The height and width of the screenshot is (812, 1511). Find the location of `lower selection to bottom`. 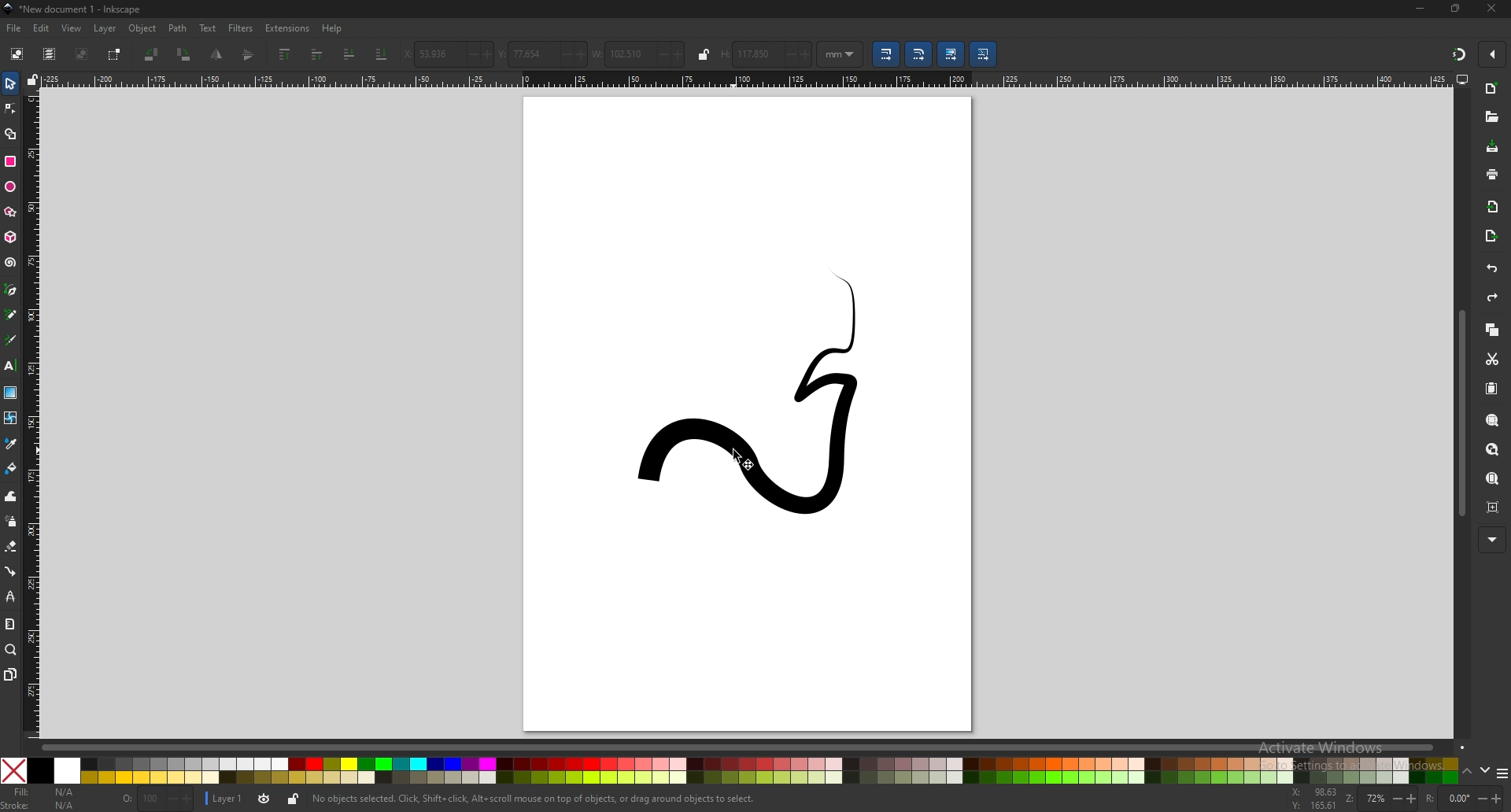

lower selection to bottom is located at coordinates (381, 54).